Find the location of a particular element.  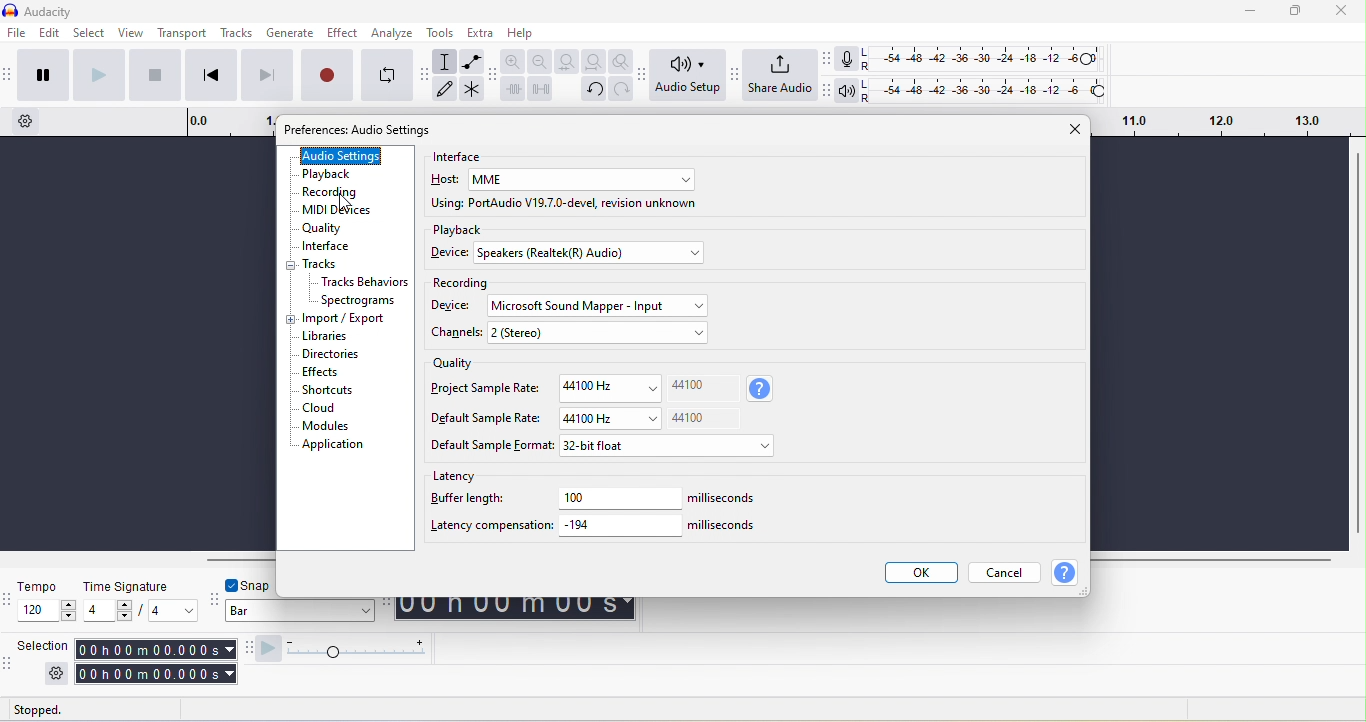

undo is located at coordinates (595, 90).